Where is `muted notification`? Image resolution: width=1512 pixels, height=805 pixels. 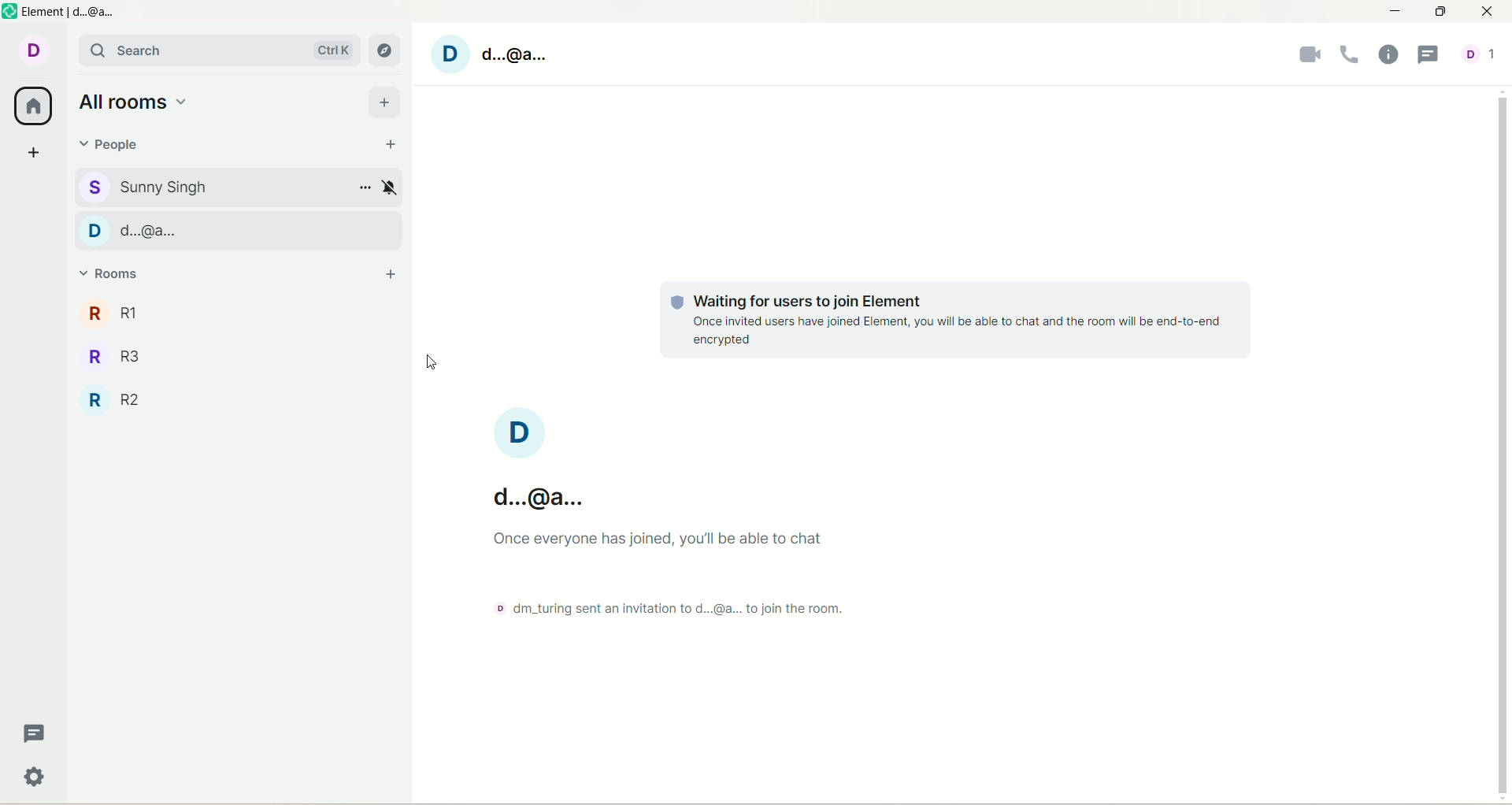 muted notification is located at coordinates (390, 187).